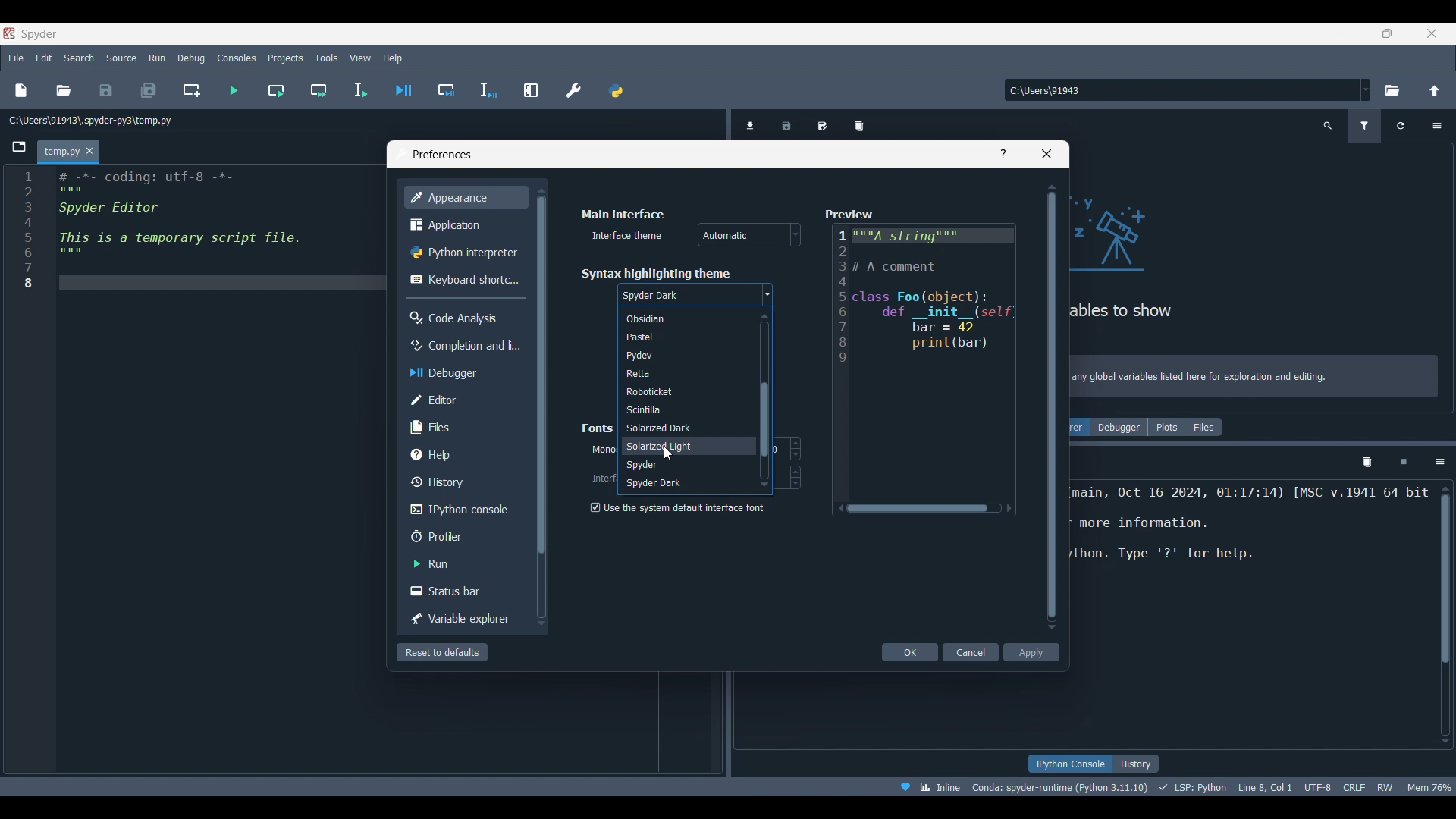 The image size is (1456, 819). Describe the element at coordinates (1432, 33) in the screenshot. I see `Close interface` at that location.